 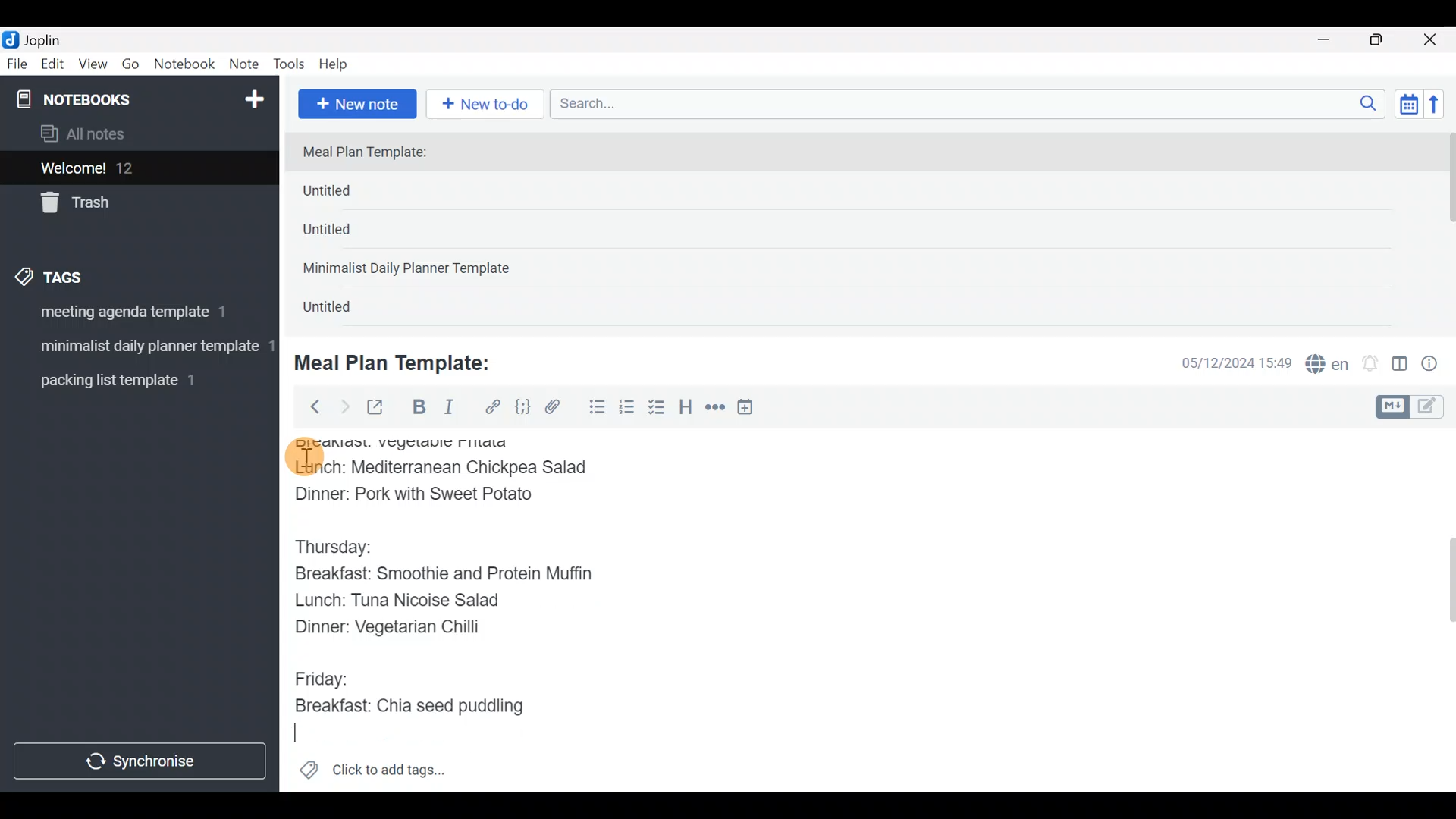 I want to click on Code, so click(x=521, y=406).